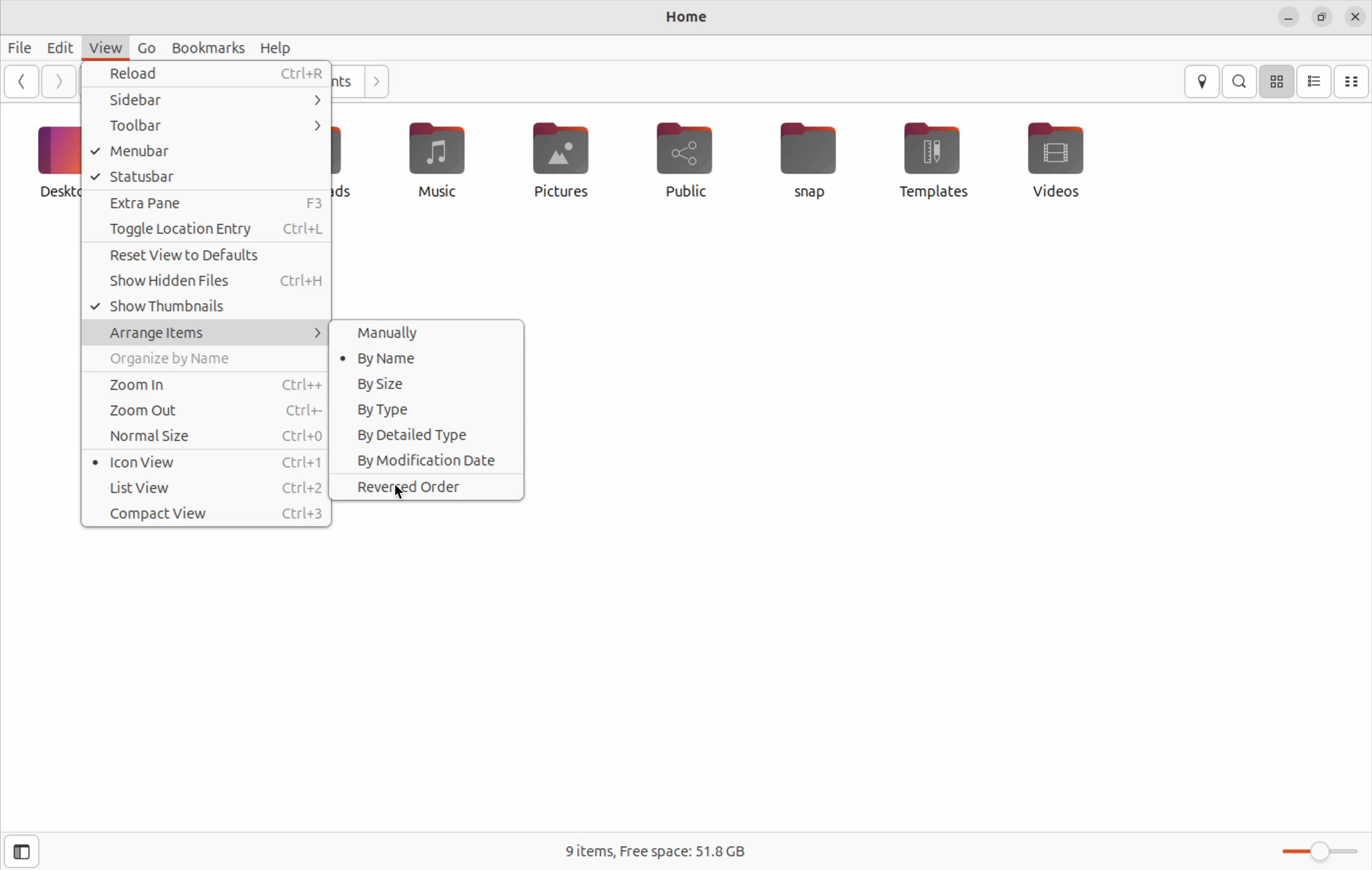 This screenshot has height=870, width=1372. Describe the element at coordinates (427, 459) in the screenshot. I see `by modification` at that location.